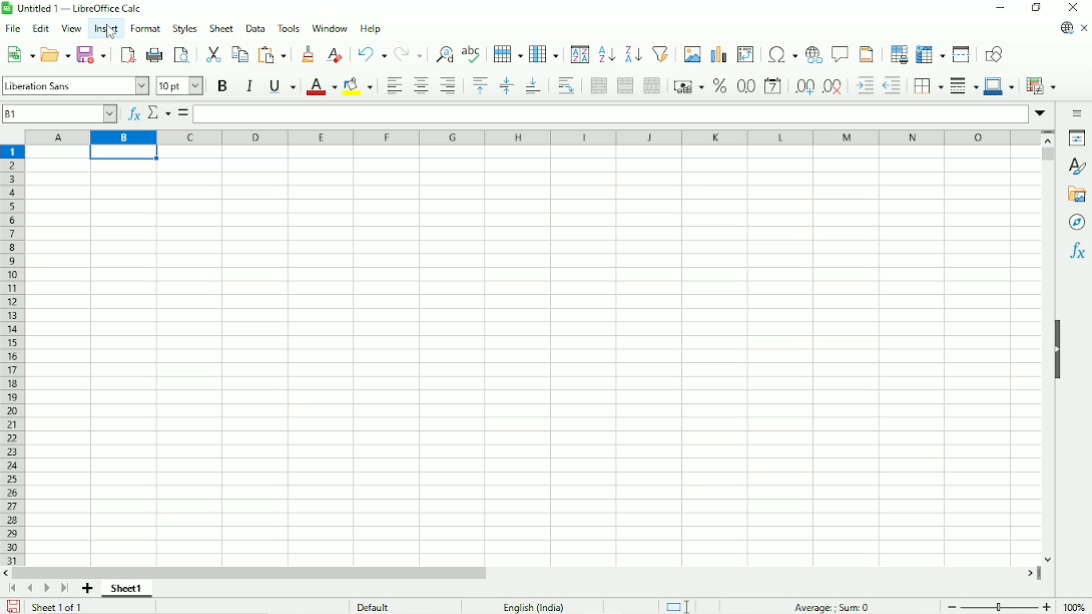 The image size is (1092, 614). I want to click on Sort descending, so click(632, 52).